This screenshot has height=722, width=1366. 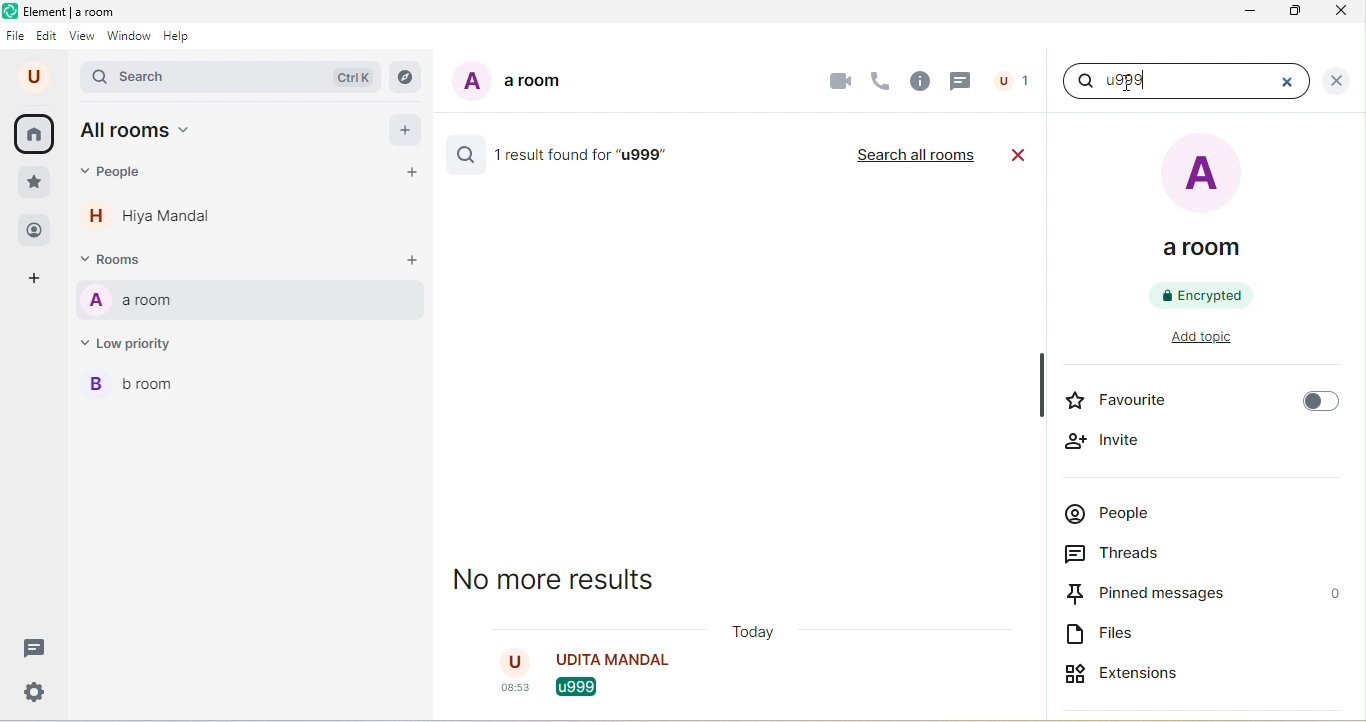 I want to click on close, so click(x=1296, y=80).